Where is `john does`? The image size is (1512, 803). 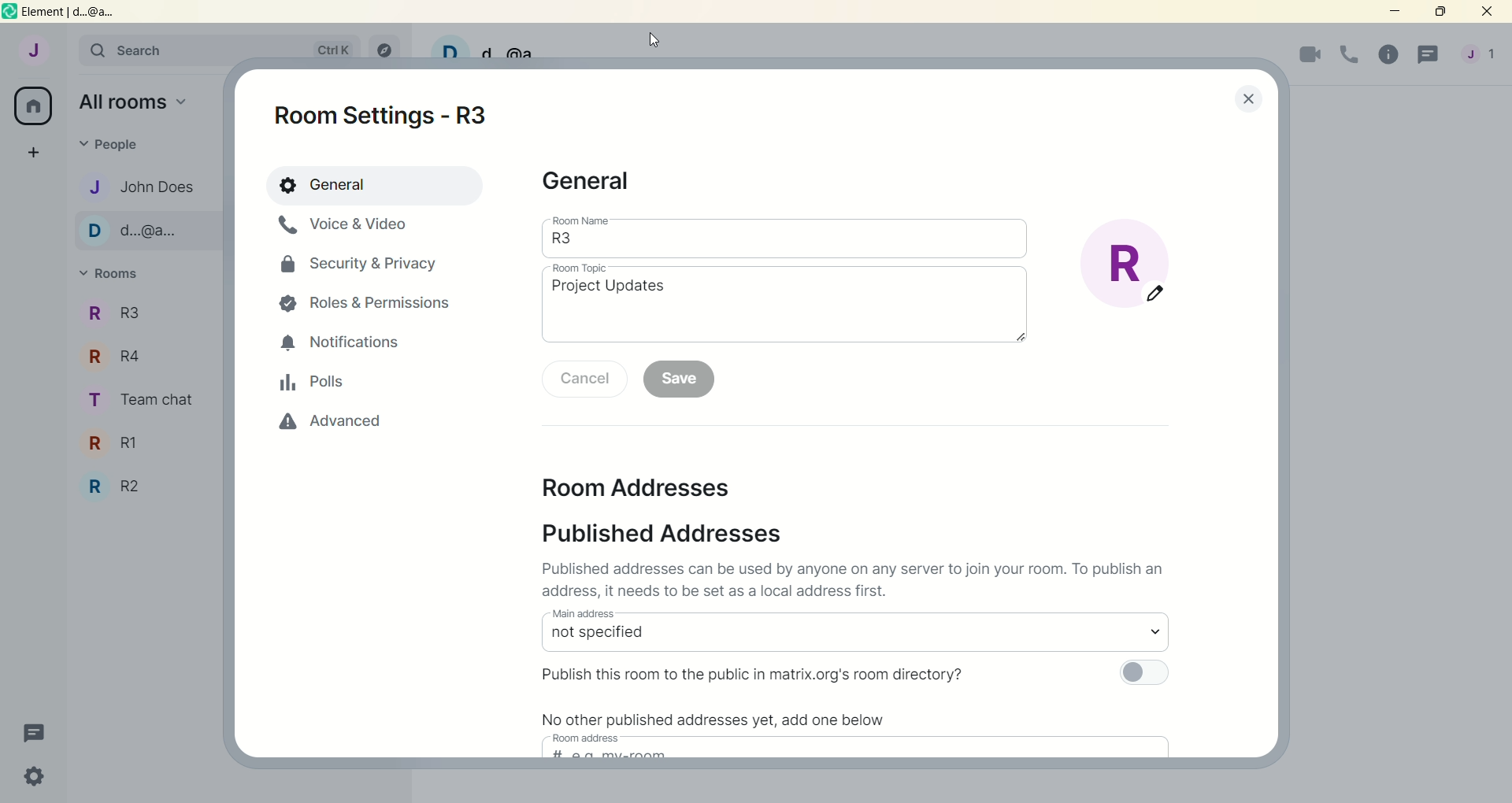 john does is located at coordinates (141, 185).